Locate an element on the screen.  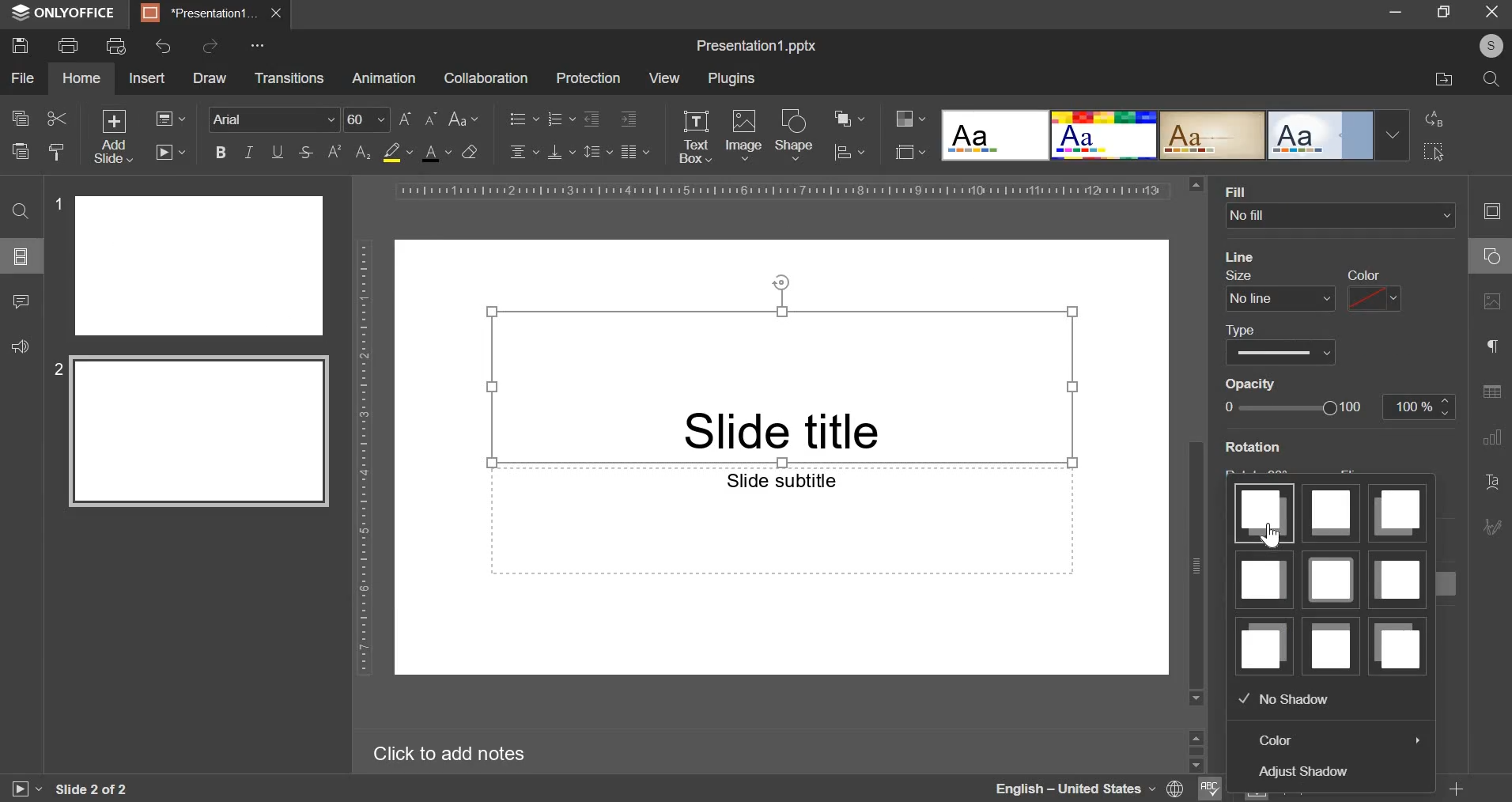
profile is located at coordinates (1487, 47).